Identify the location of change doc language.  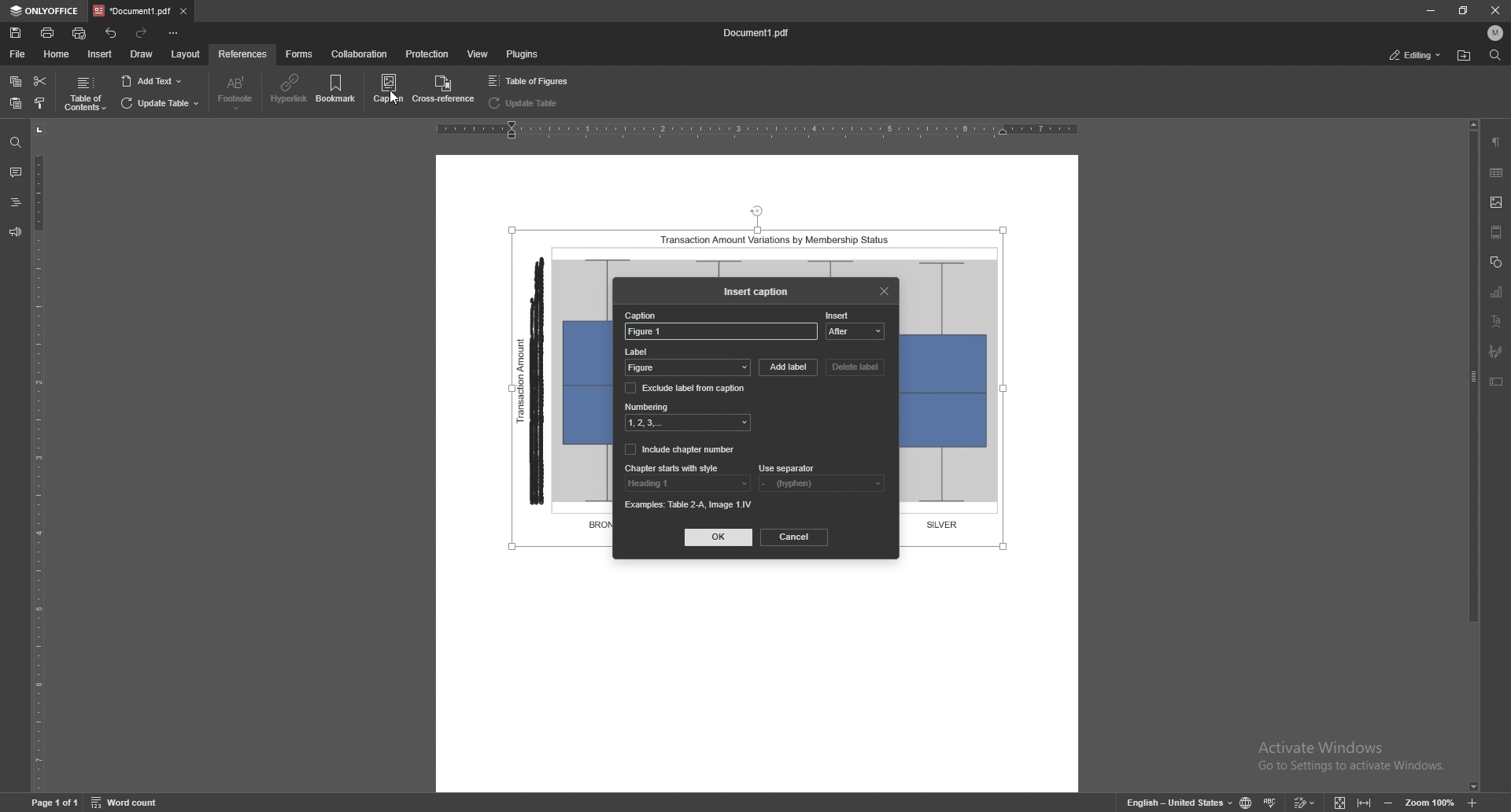
(1248, 802).